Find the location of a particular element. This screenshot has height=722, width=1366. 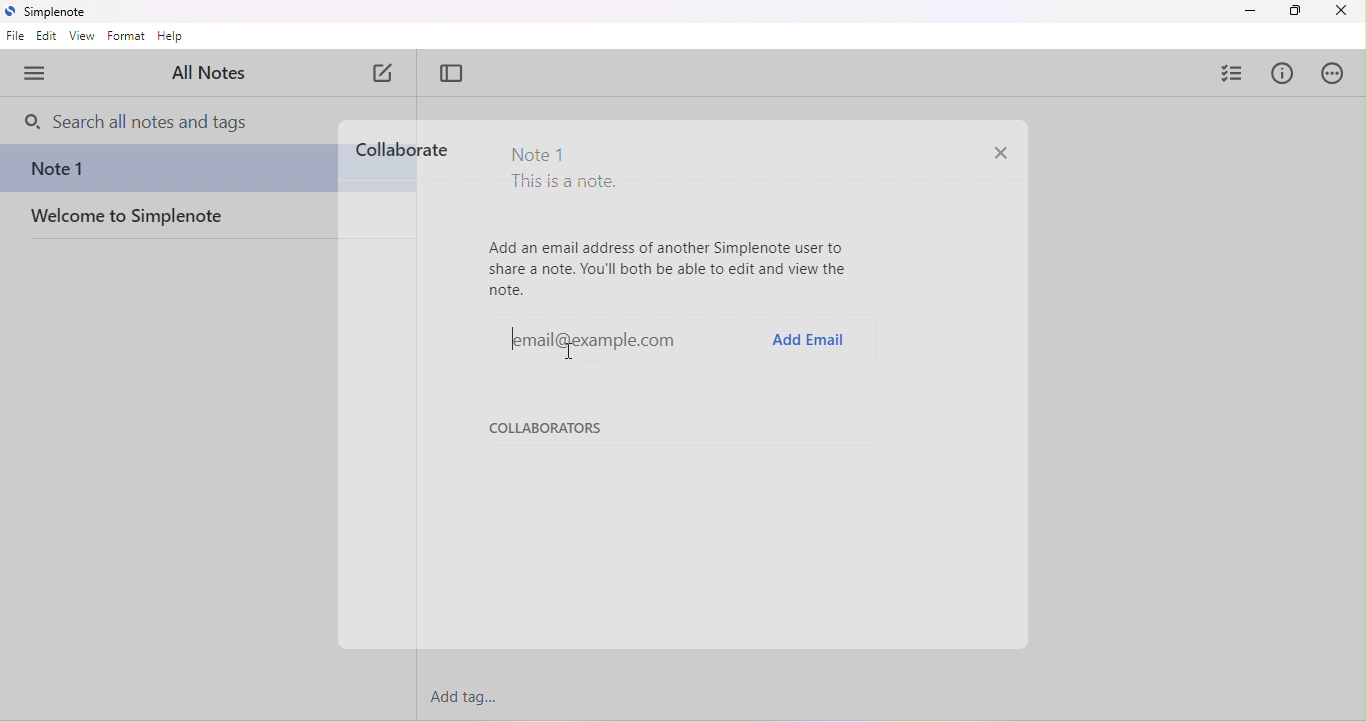

minimize is located at coordinates (1249, 12).